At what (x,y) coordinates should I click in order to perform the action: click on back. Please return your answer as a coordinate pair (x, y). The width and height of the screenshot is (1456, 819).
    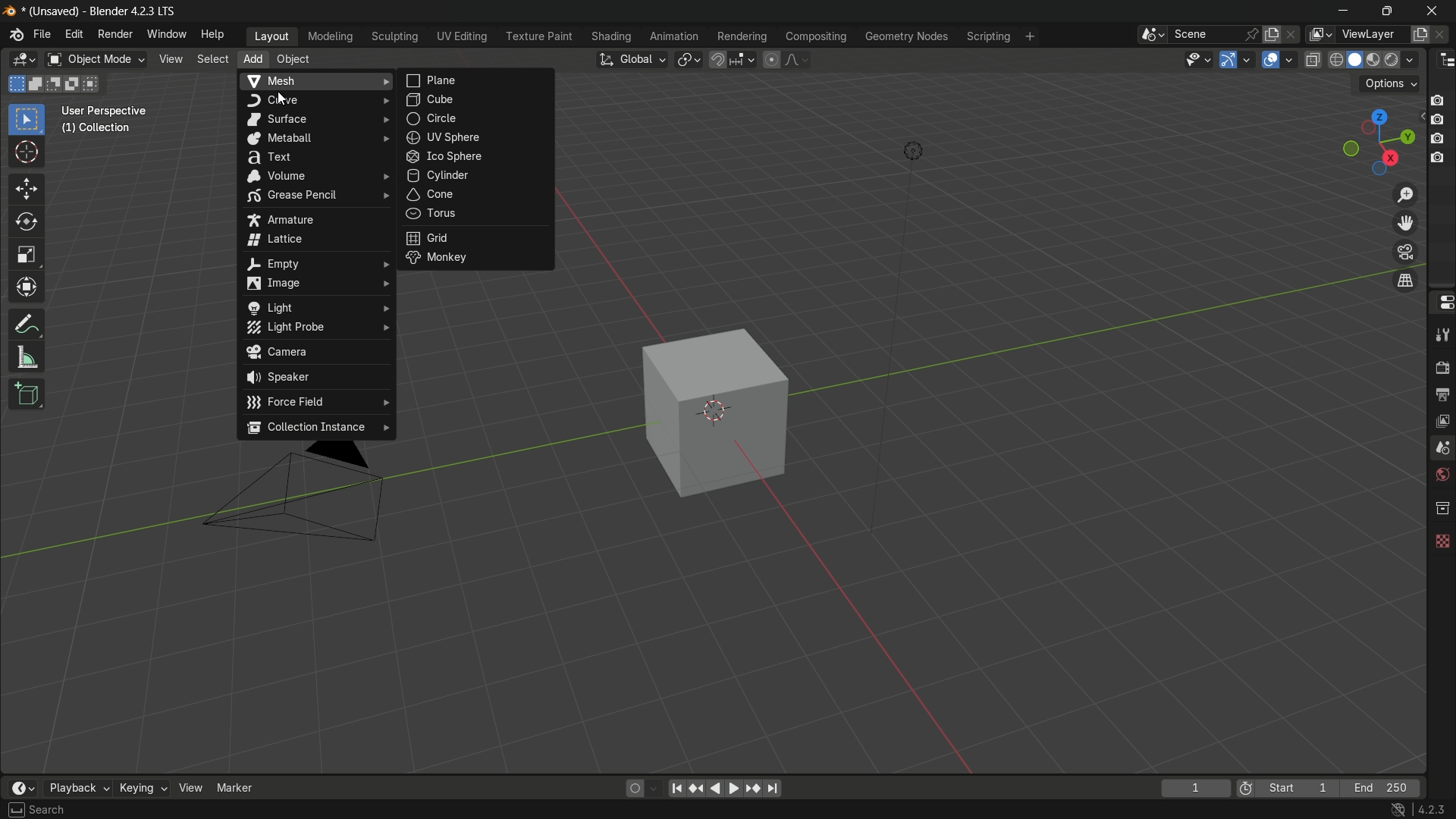
    Looking at the image, I should click on (714, 789).